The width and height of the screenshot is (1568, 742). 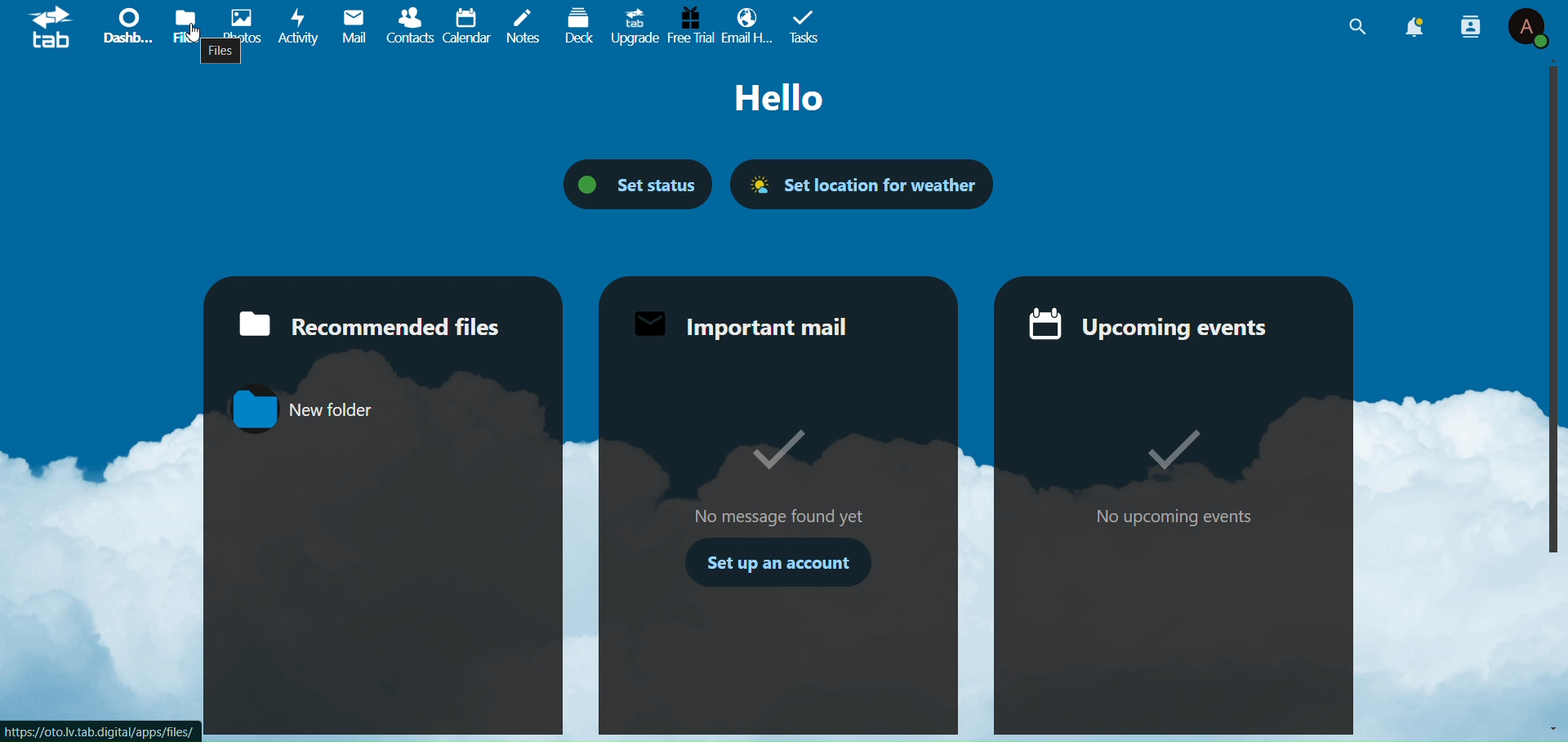 What do you see at coordinates (1552, 61) in the screenshot?
I see `Up` at bounding box center [1552, 61].